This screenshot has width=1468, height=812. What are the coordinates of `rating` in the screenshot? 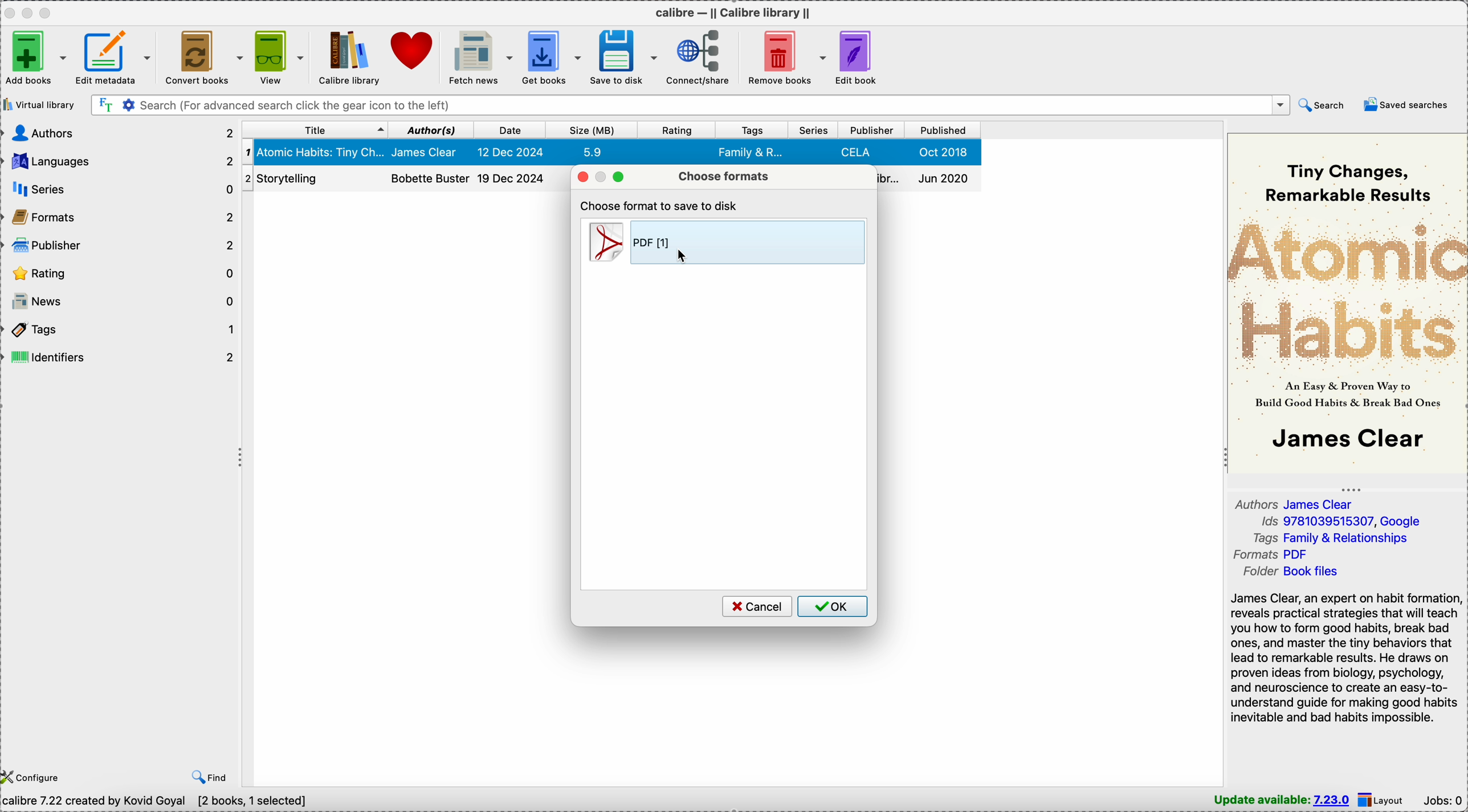 It's located at (674, 130).